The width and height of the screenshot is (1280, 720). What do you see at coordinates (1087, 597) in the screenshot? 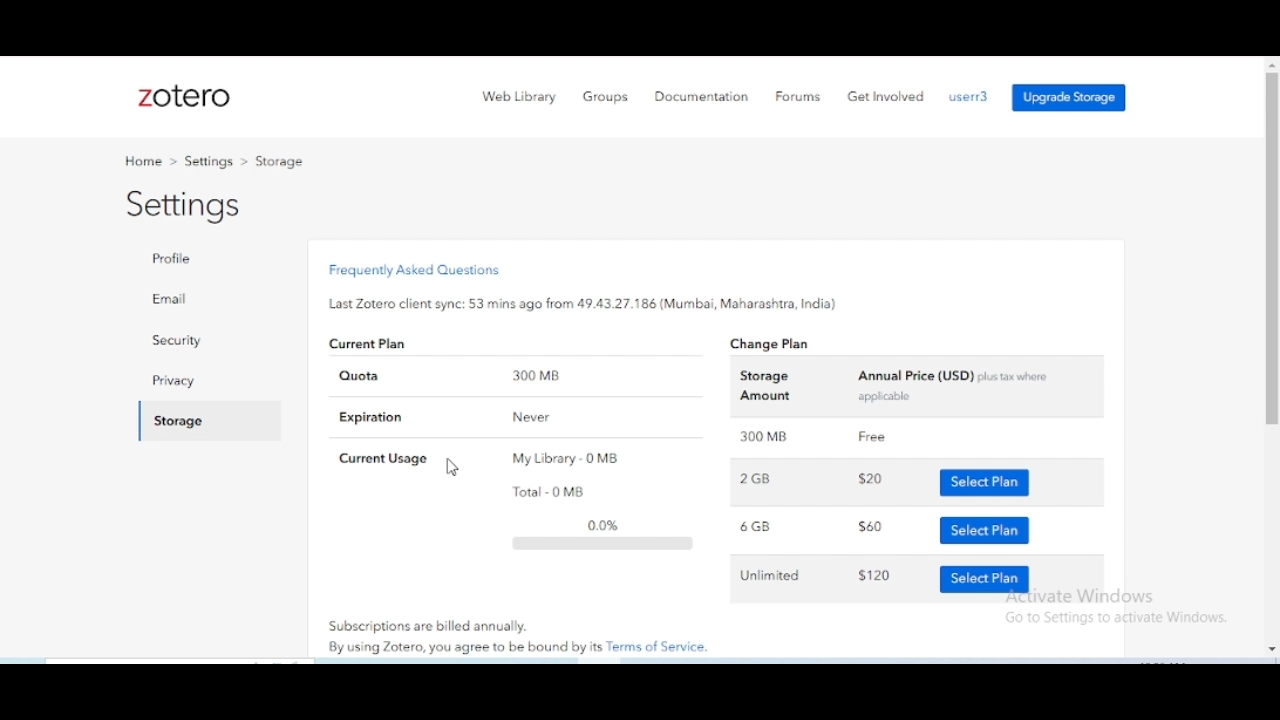
I see `Activate Windows` at bounding box center [1087, 597].